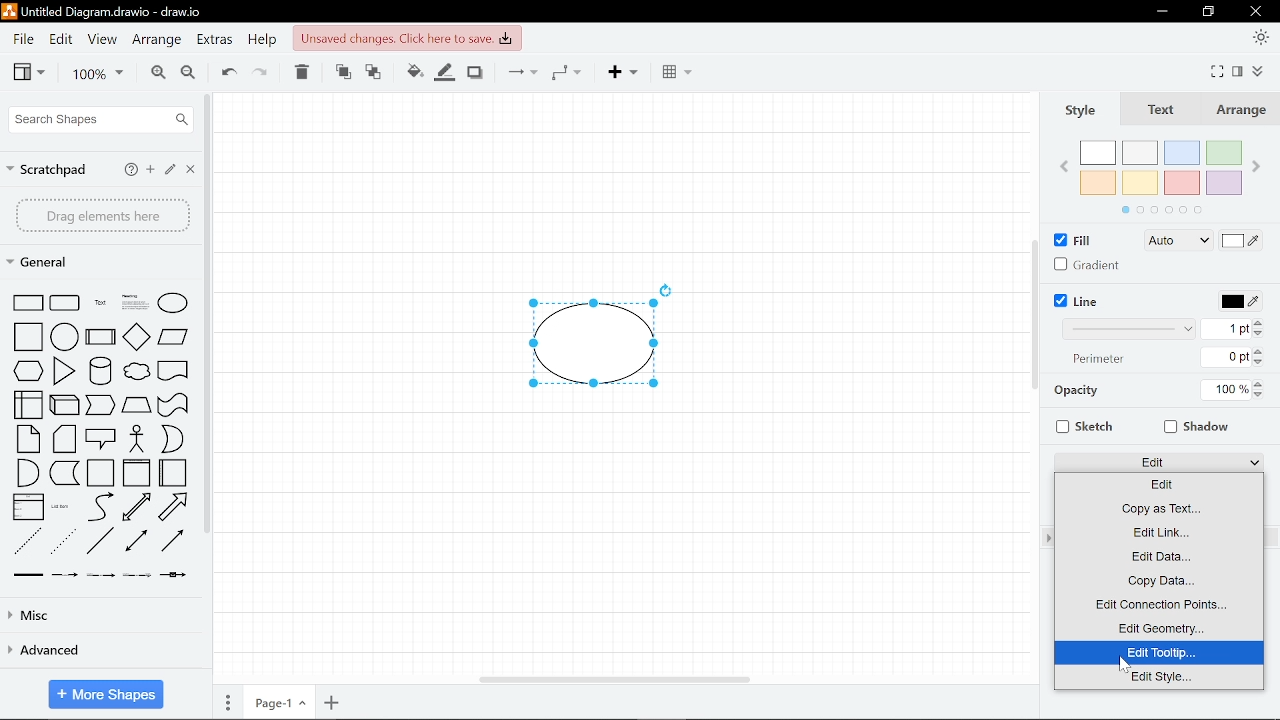 Image resolution: width=1280 pixels, height=720 pixels. I want to click on vertical container, so click(135, 473).